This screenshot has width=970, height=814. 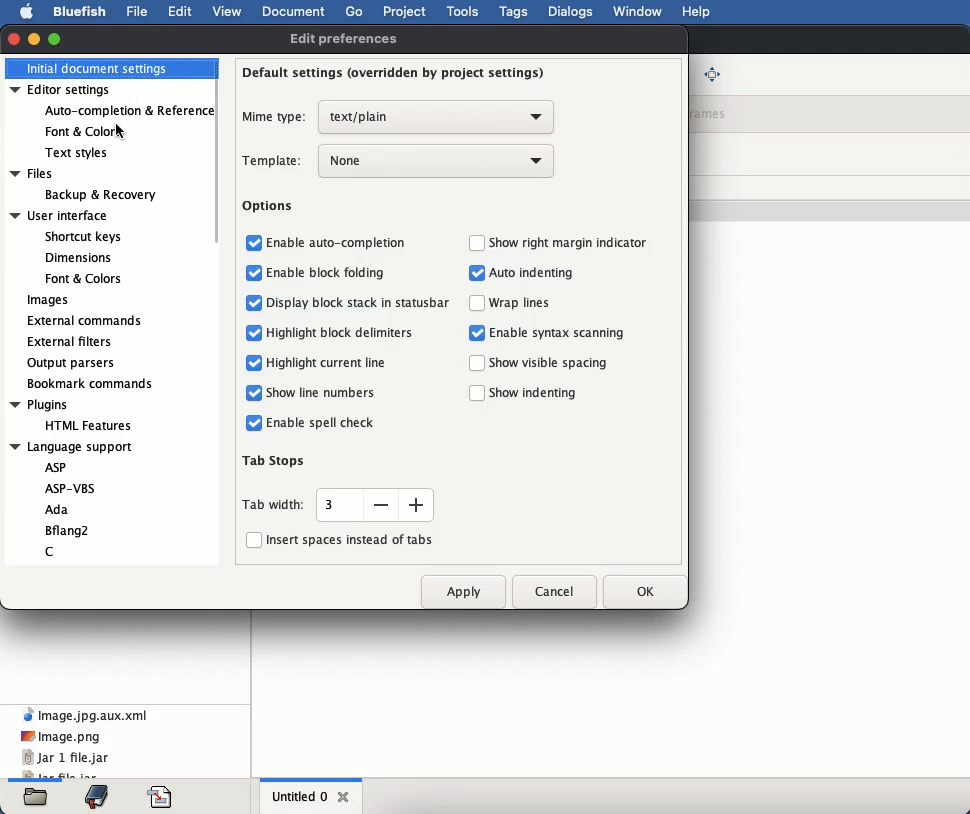 What do you see at coordinates (275, 118) in the screenshot?
I see `mime type` at bounding box center [275, 118].